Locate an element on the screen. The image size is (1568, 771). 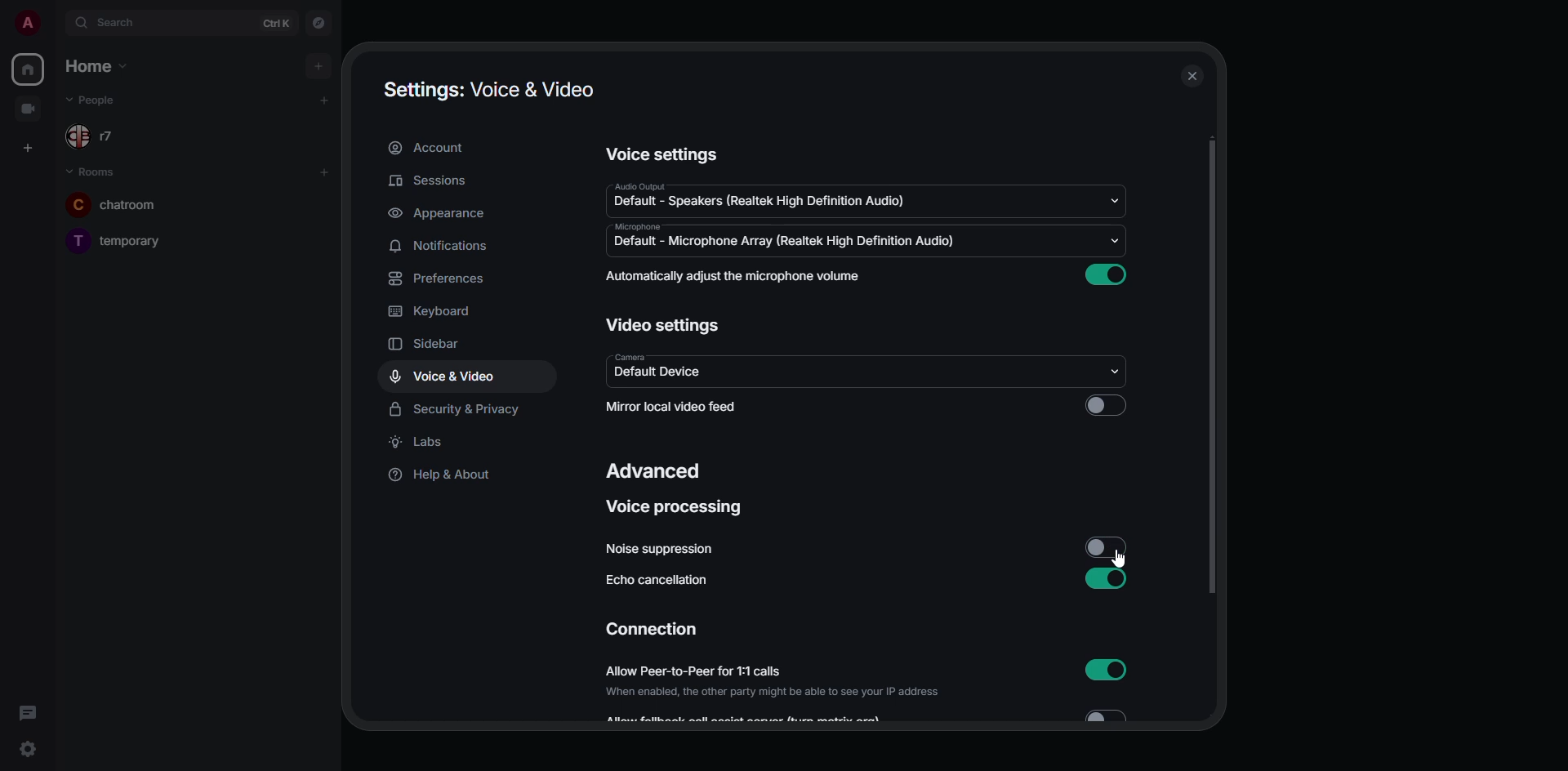
notifications is located at coordinates (444, 247).